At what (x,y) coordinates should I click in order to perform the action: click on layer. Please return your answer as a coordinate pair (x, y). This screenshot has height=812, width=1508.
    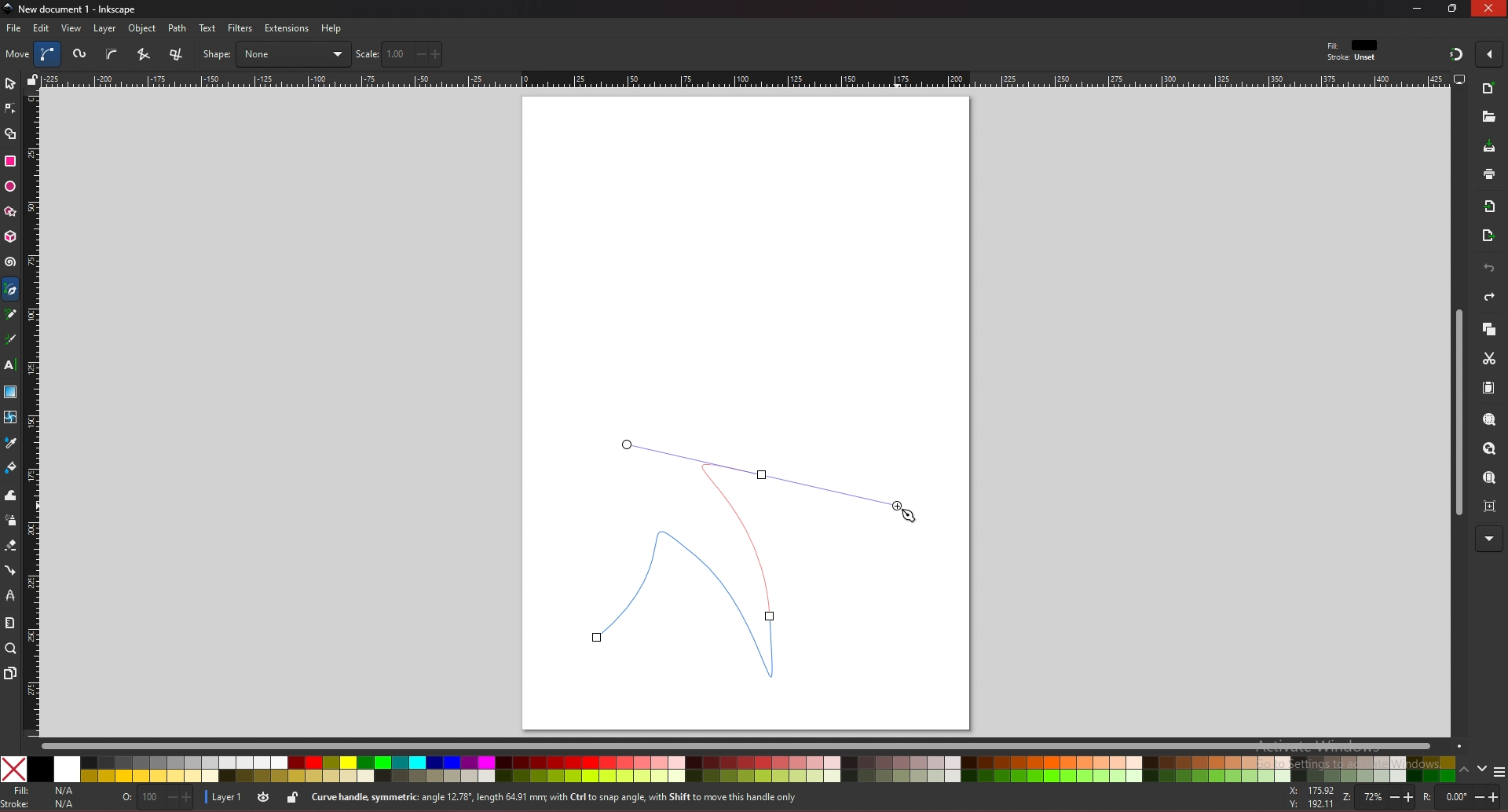
    Looking at the image, I should click on (104, 28).